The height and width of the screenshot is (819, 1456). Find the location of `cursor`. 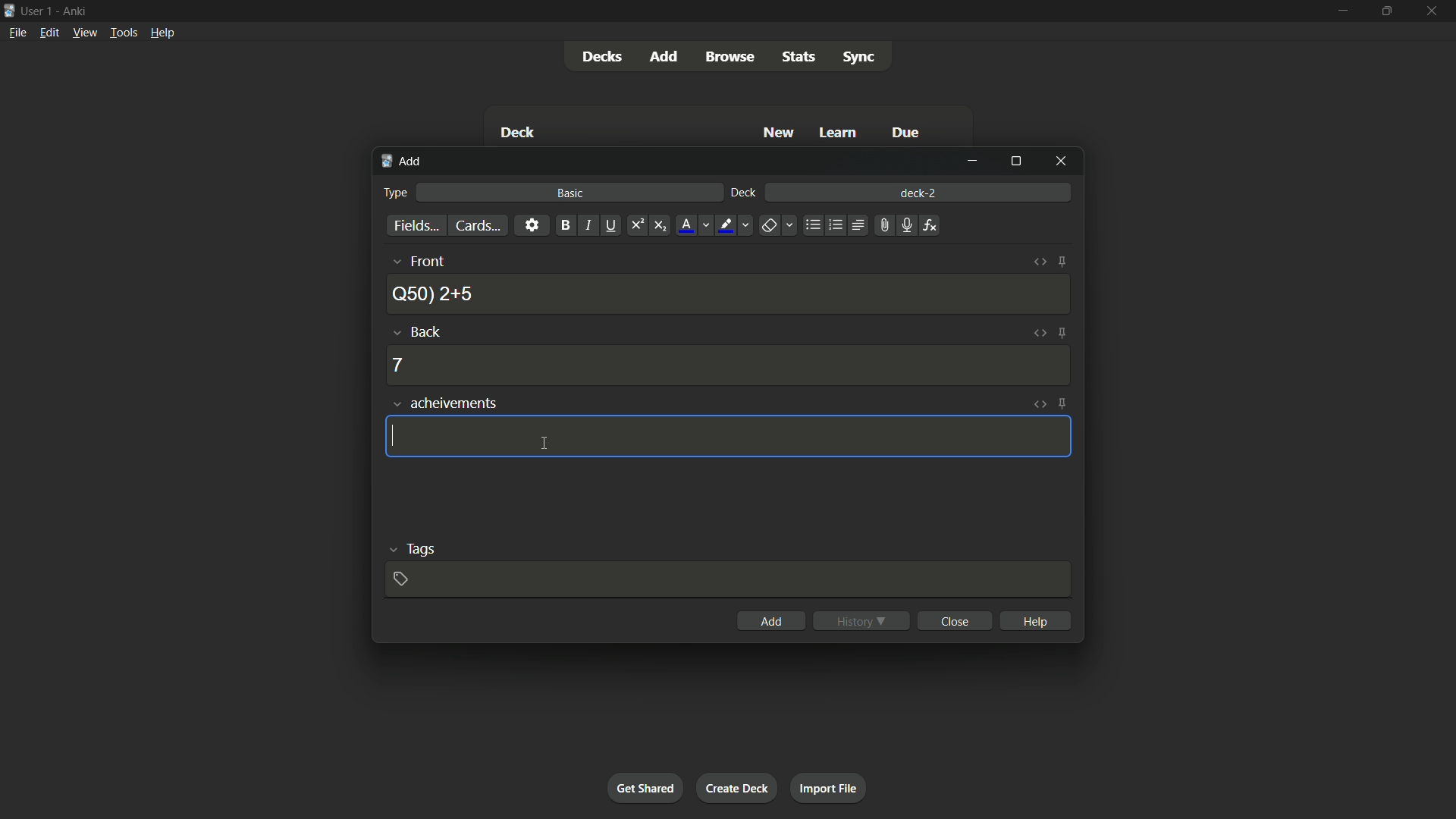

cursor is located at coordinates (392, 438).